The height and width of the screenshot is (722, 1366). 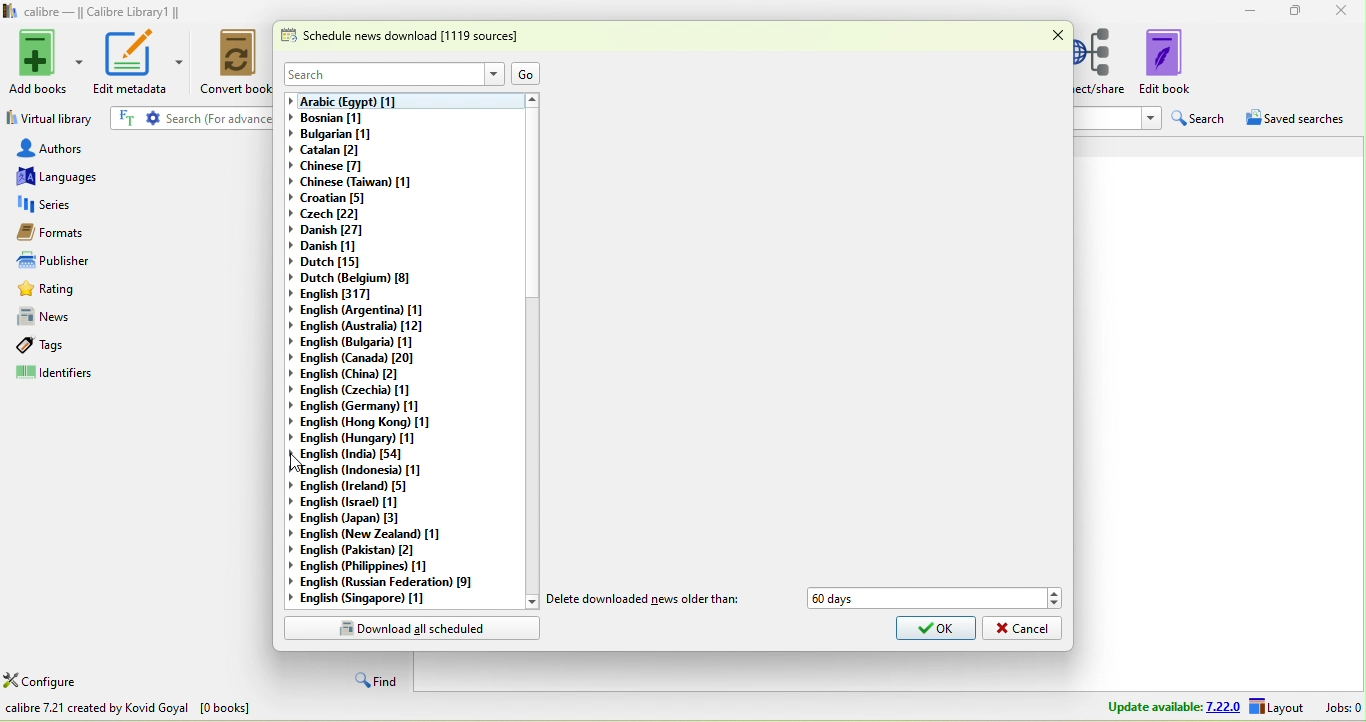 I want to click on chinese(taiwan)[1], so click(x=352, y=182).